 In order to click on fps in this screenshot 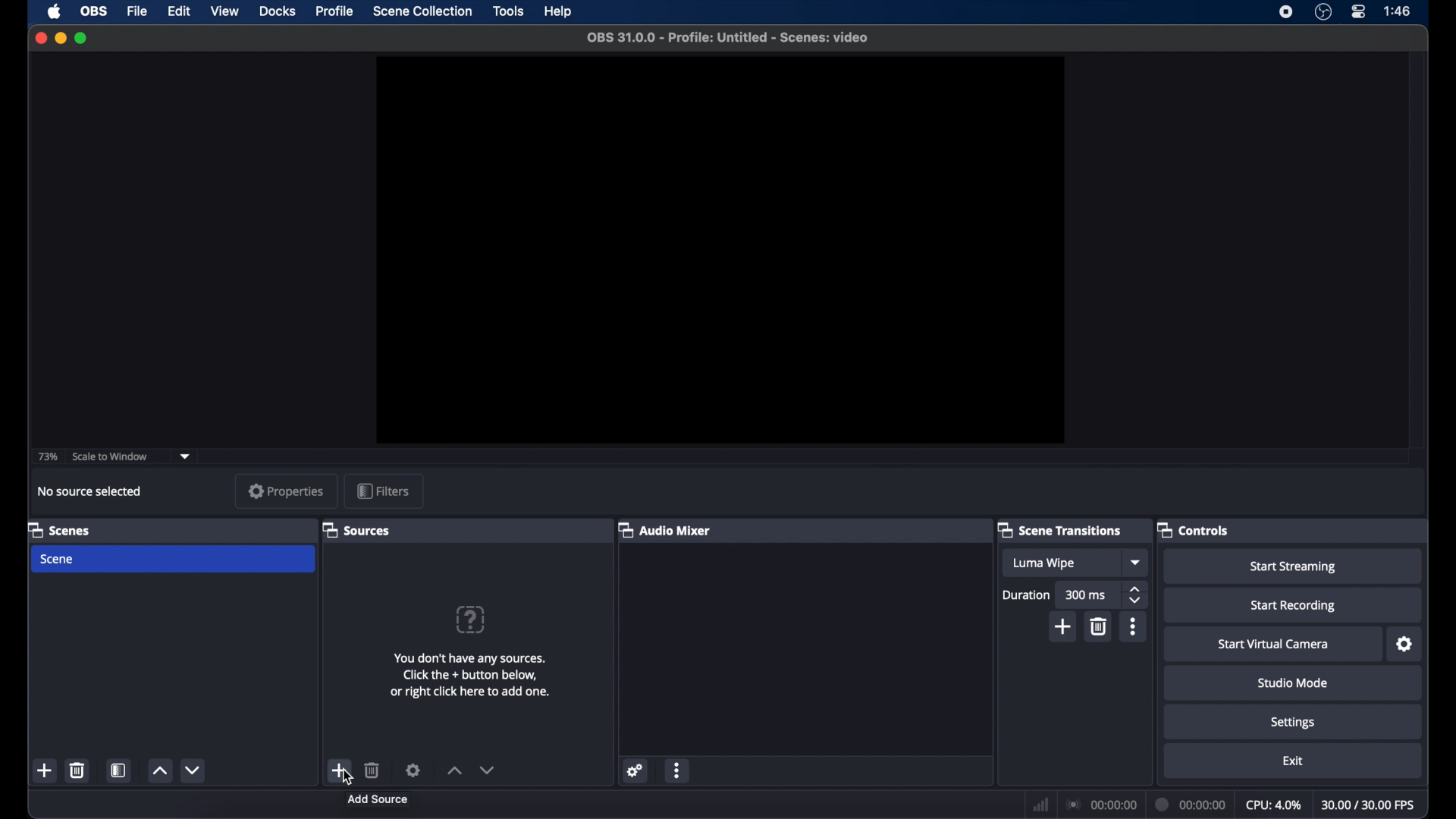, I will do `click(1370, 805)`.